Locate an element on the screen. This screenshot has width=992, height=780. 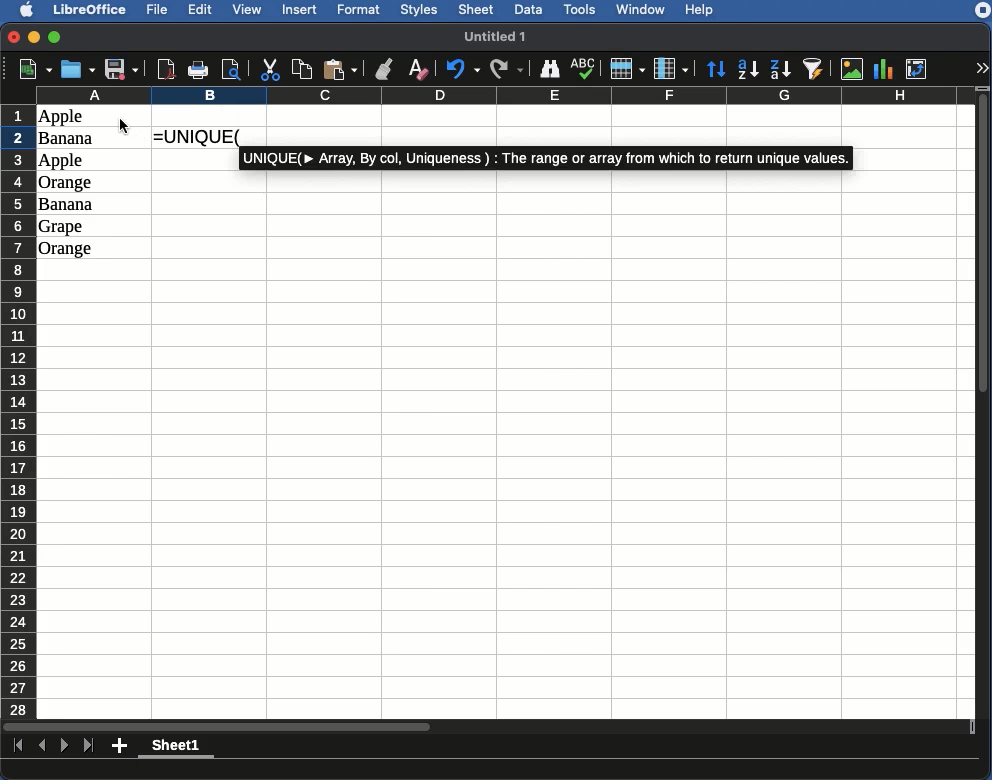
Cut is located at coordinates (270, 69).